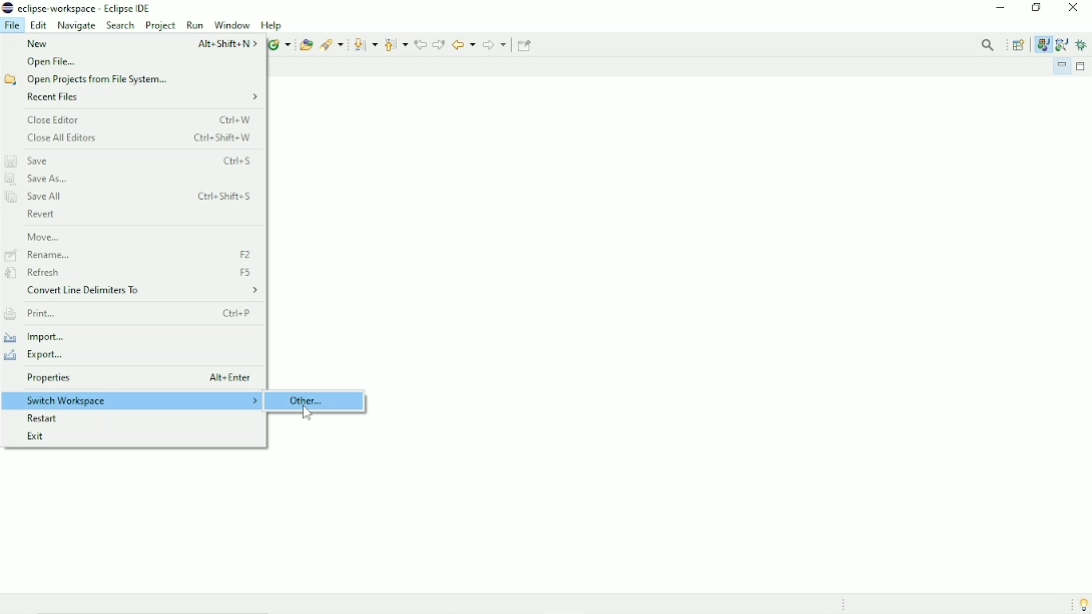 Image resolution: width=1092 pixels, height=614 pixels. I want to click on Convert line delimiters to, so click(141, 292).